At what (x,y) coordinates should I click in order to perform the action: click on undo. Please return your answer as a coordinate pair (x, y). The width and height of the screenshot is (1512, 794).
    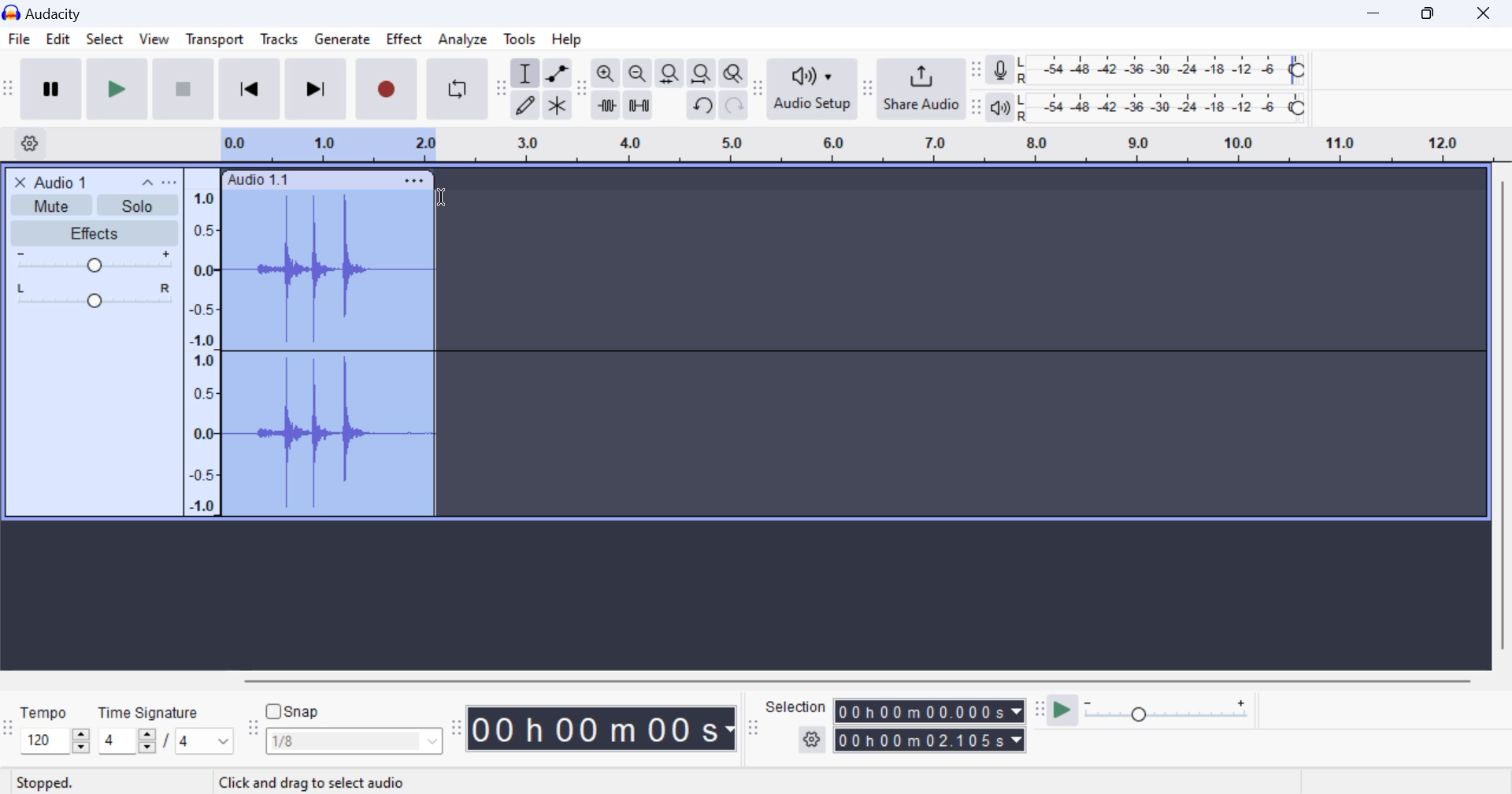
    Looking at the image, I should click on (703, 106).